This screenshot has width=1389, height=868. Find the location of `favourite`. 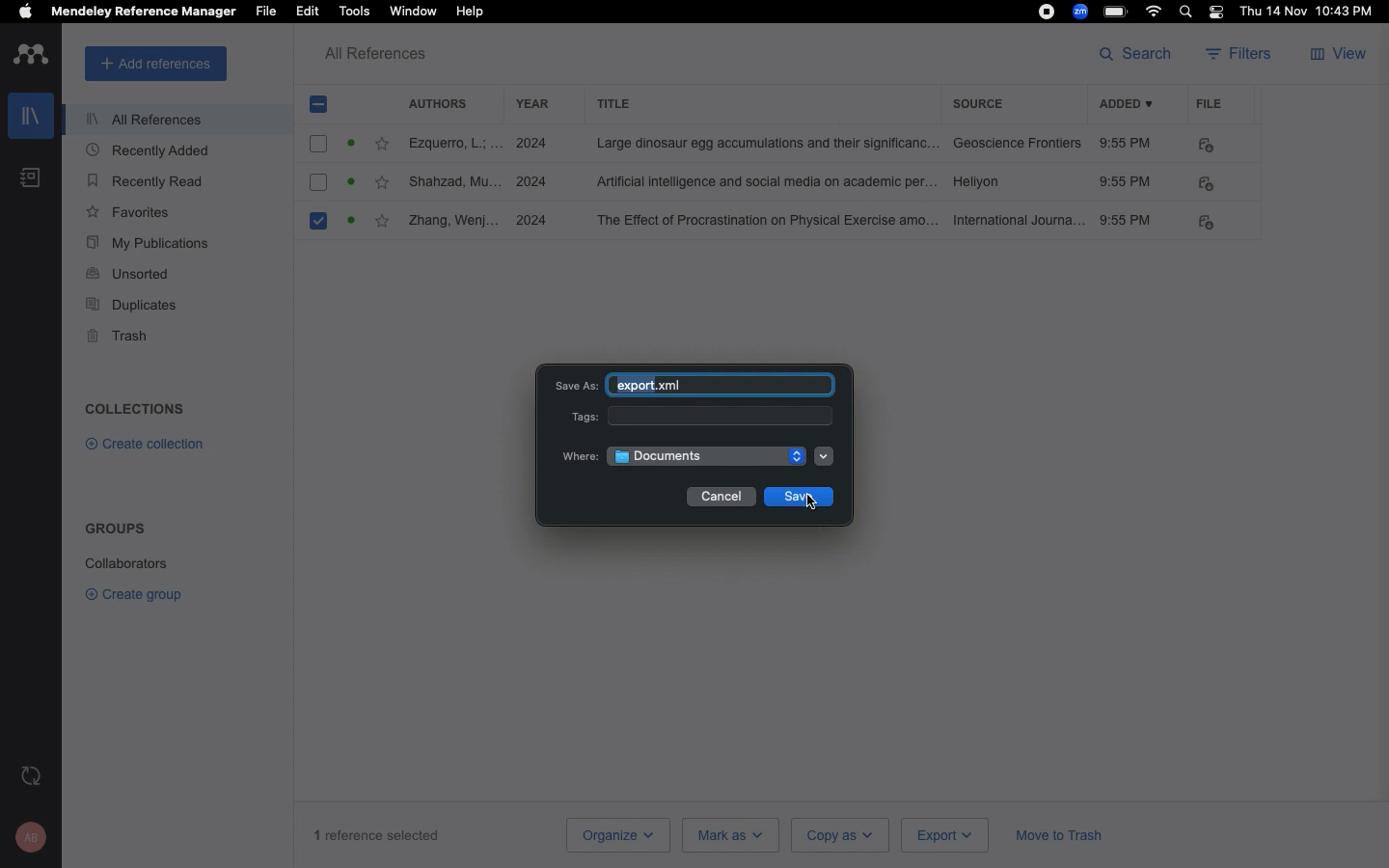

favourite is located at coordinates (383, 220).